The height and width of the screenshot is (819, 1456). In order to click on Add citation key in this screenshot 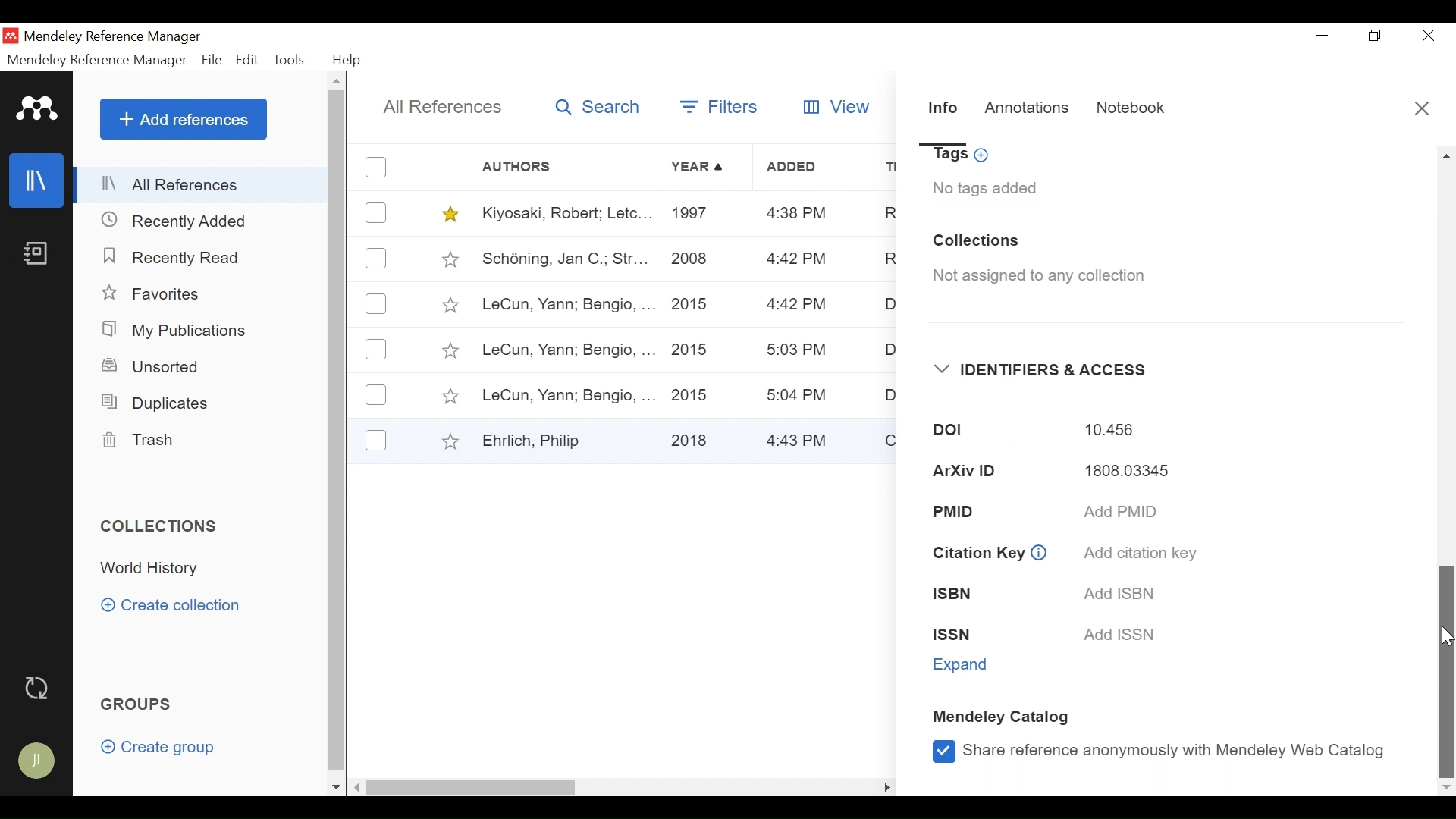, I will do `click(1137, 553)`.